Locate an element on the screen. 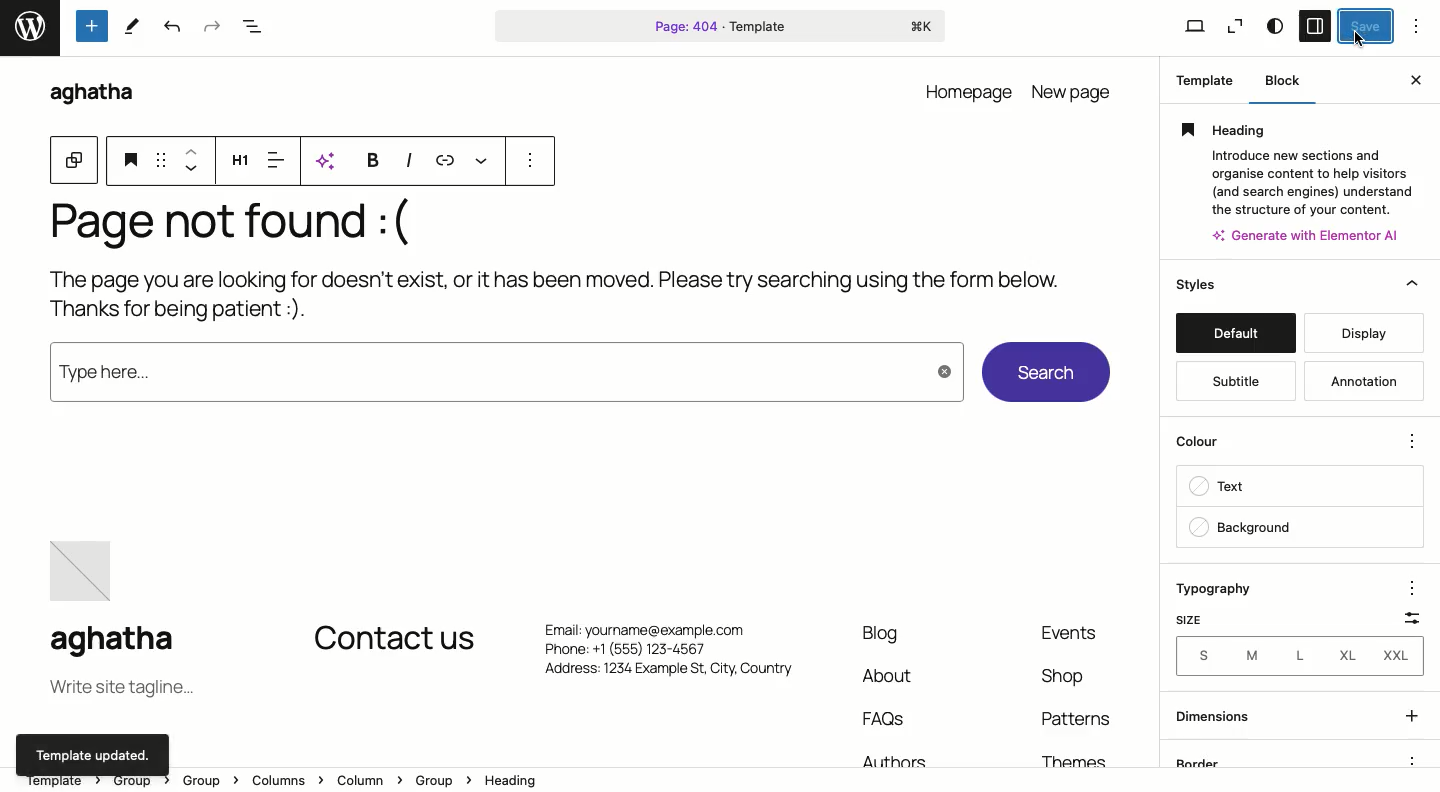 The width and height of the screenshot is (1440, 792). Blog is located at coordinates (882, 634).